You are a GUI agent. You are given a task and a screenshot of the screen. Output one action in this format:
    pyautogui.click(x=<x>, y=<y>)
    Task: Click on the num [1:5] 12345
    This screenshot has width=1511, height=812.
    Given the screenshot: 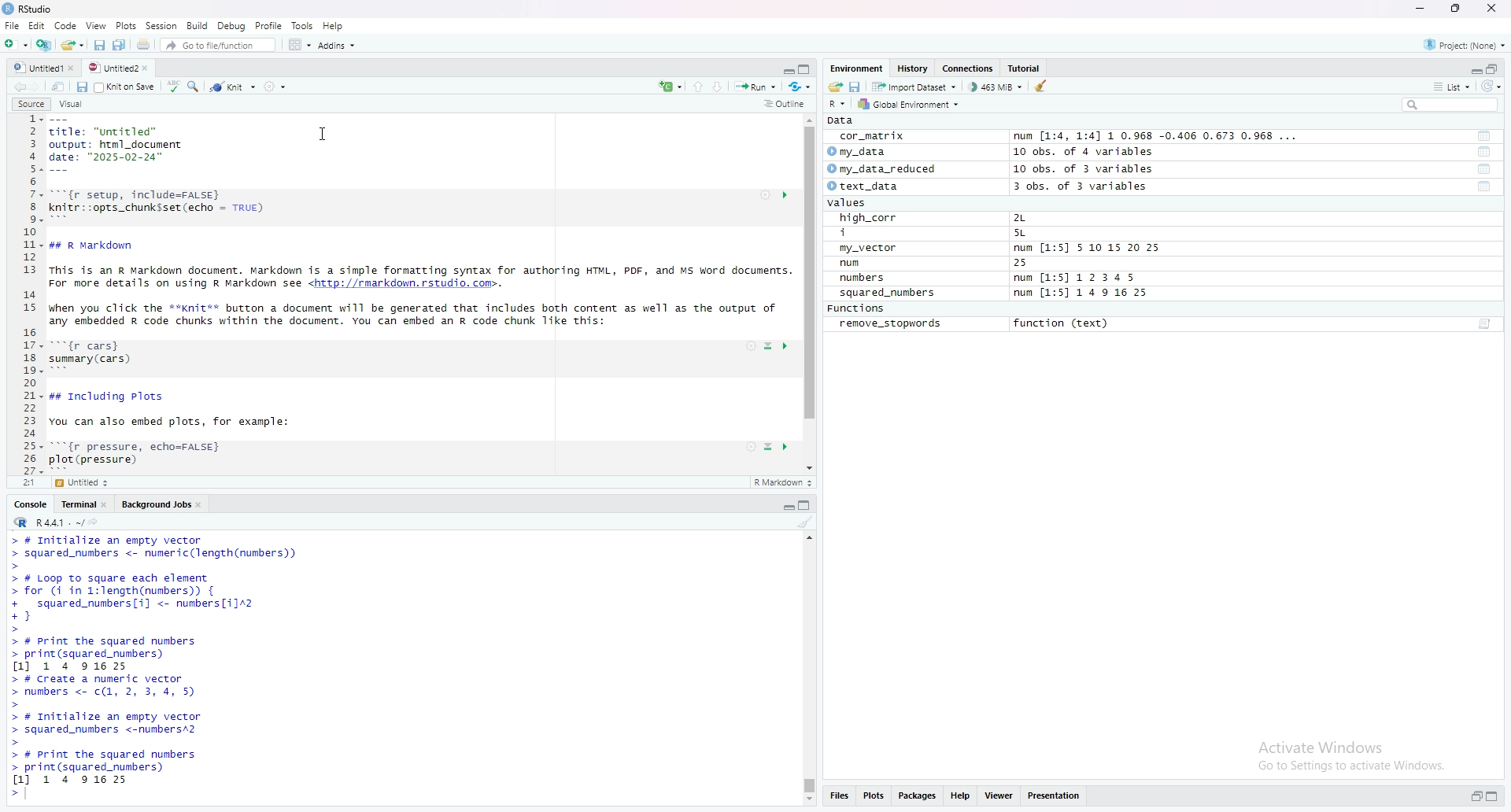 What is the action you would take?
    pyautogui.click(x=1077, y=278)
    